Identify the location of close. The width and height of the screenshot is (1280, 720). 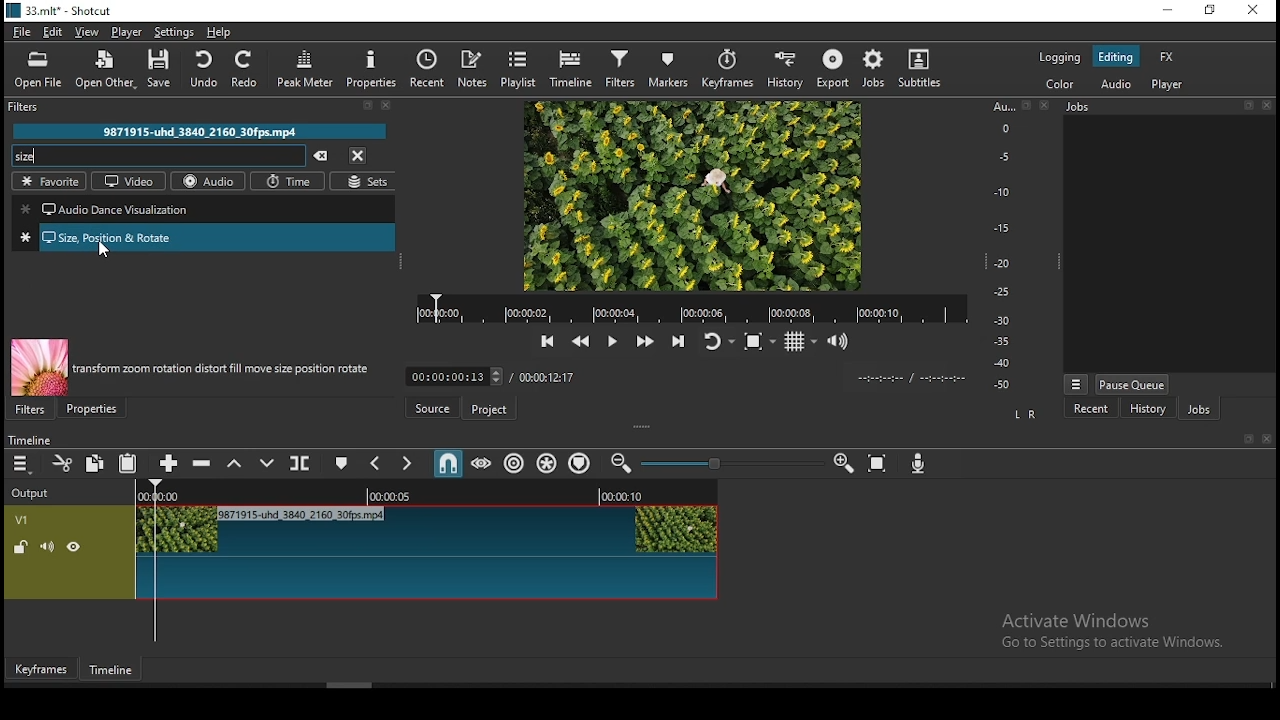
(387, 105).